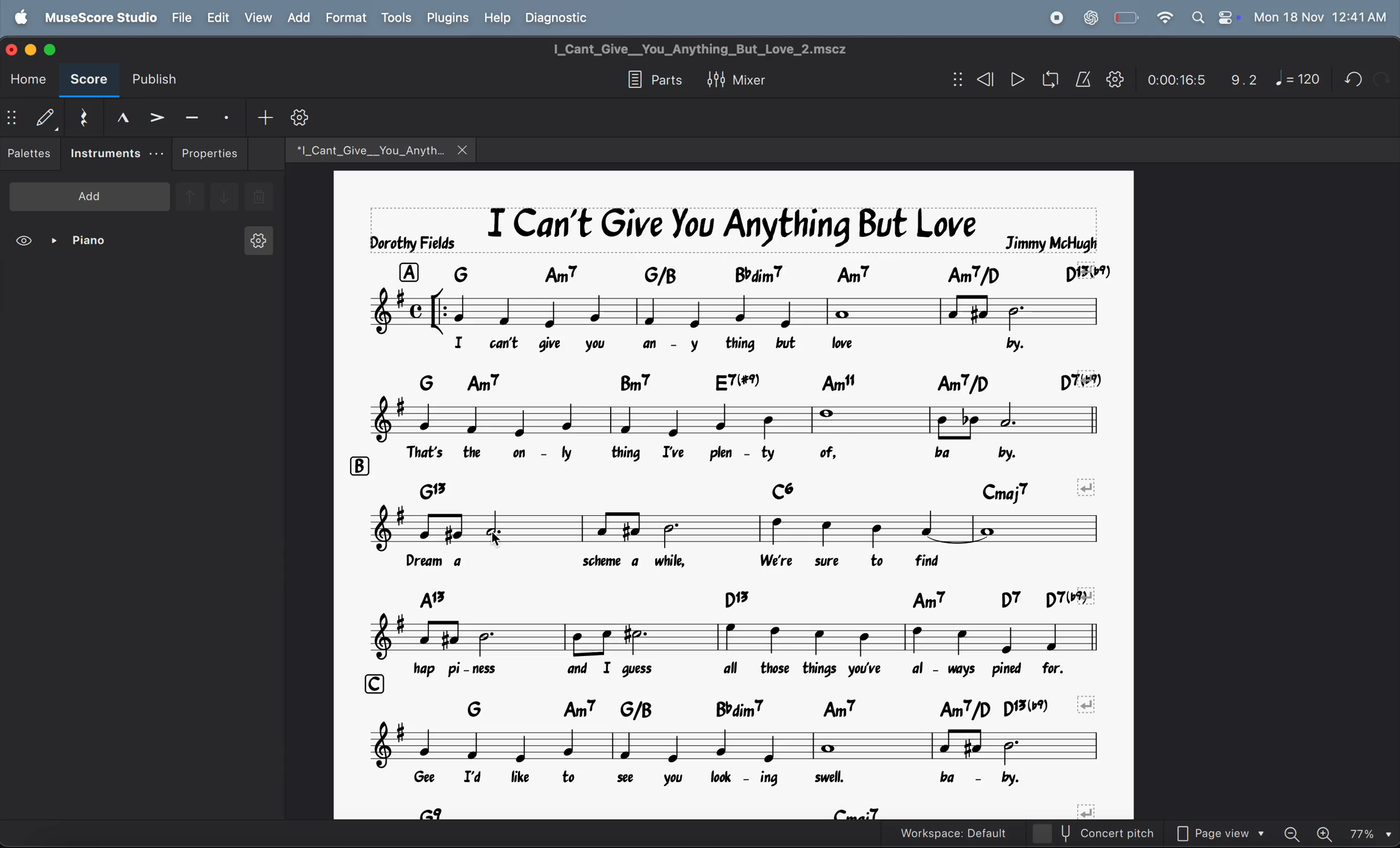 Image resolution: width=1400 pixels, height=848 pixels. Describe the element at coordinates (409, 274) in the screenshot. I see `row` at that location.